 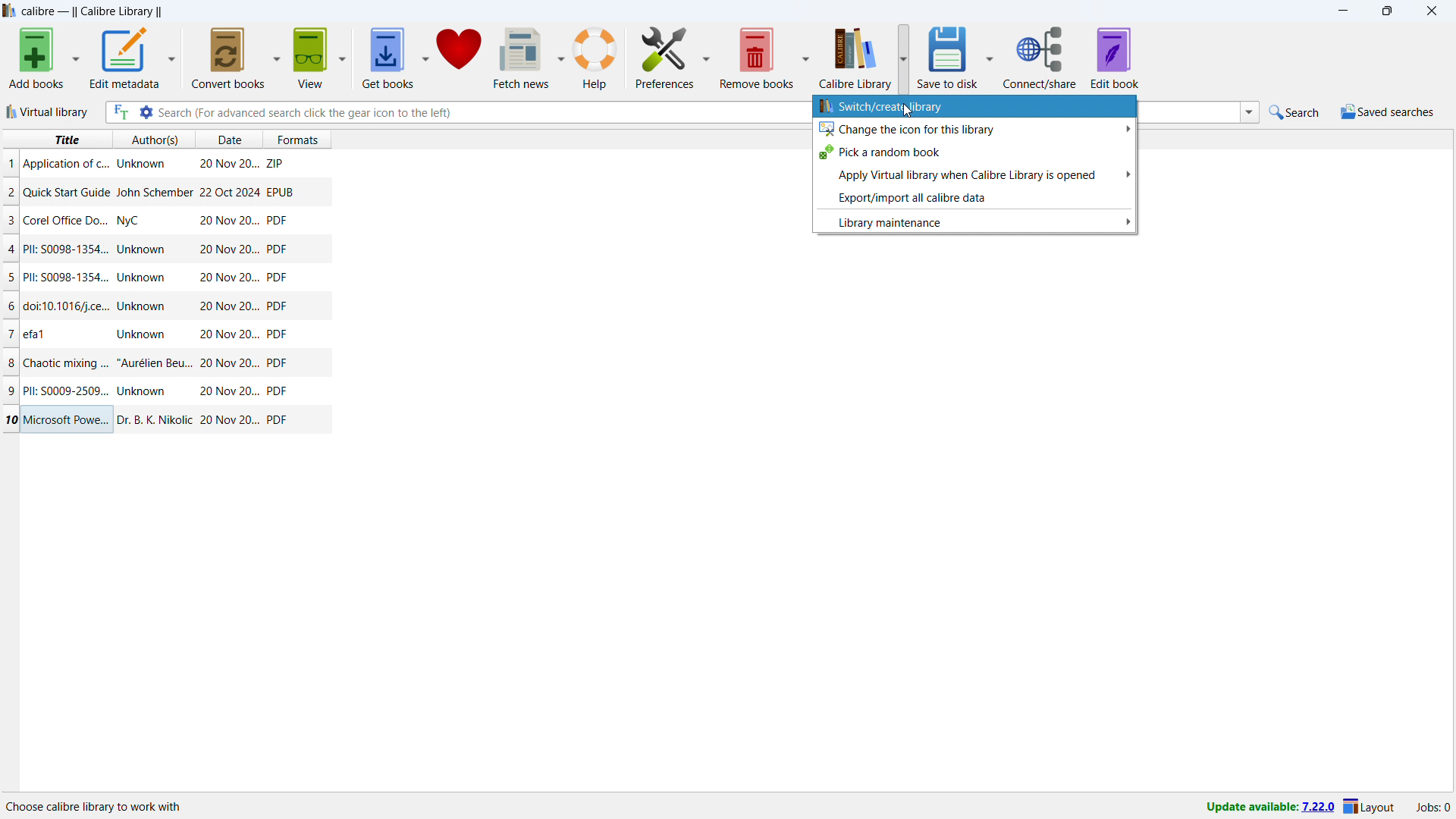 I want to click on PDF, so click(x=277, y=391).